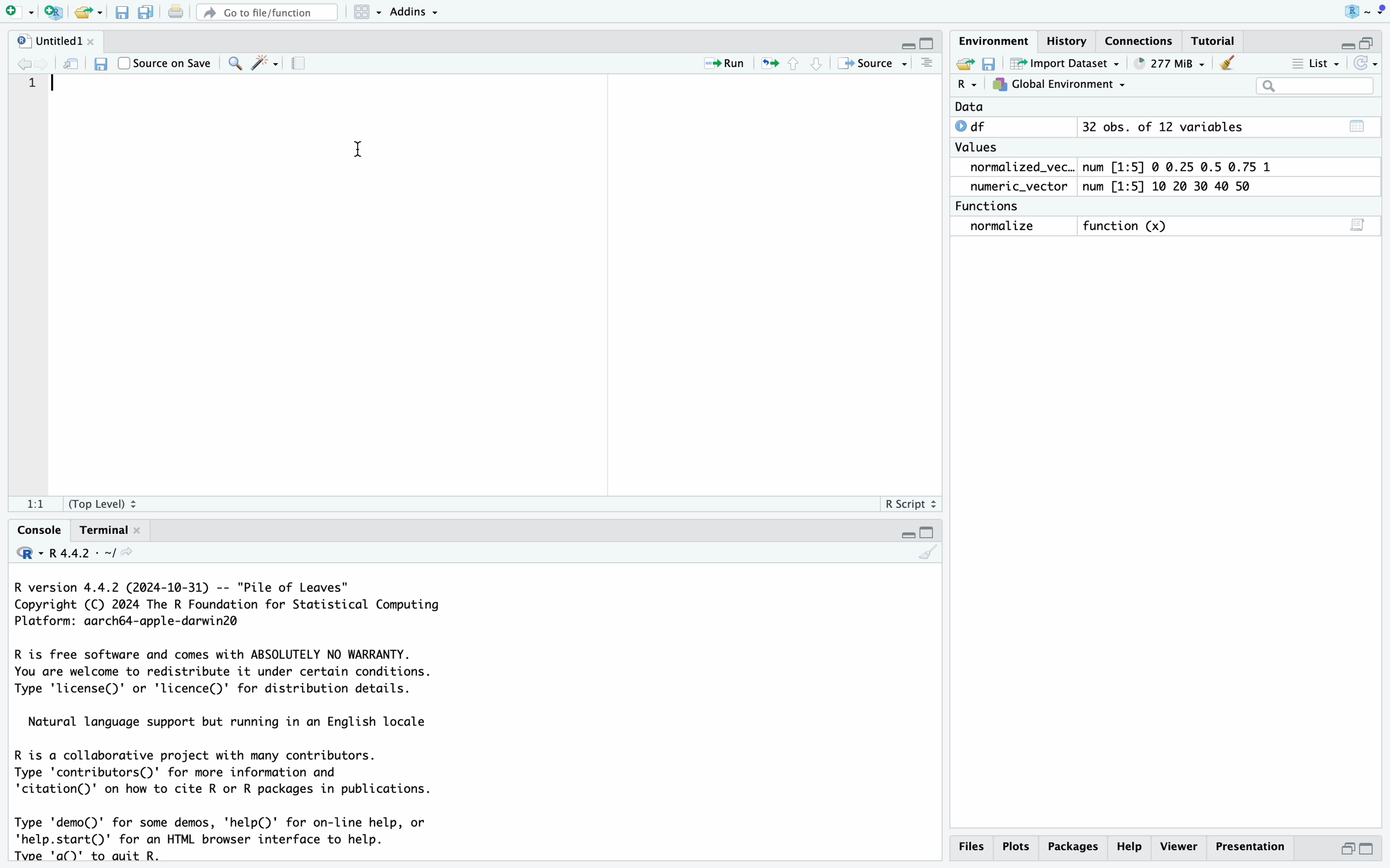 The height and width of the screenshot is (868, 1390). What do you see at coordinates (1368, 848) in the screenshot?
I see `maximise` at bounding box center [1368, 848].